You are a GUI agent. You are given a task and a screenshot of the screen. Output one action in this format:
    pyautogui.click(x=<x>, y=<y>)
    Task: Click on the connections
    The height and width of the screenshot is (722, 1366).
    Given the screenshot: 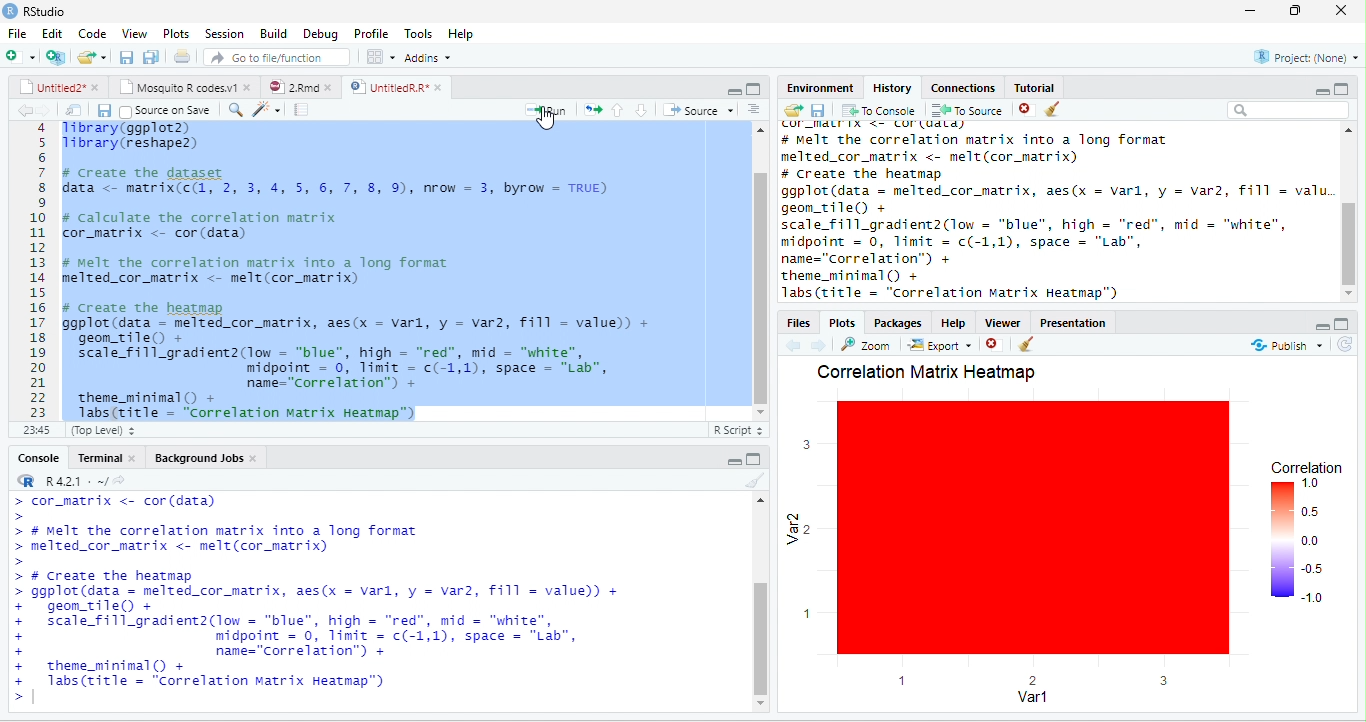 What is the action you would take?
    pyautogui.click(x=961, y=86)
    